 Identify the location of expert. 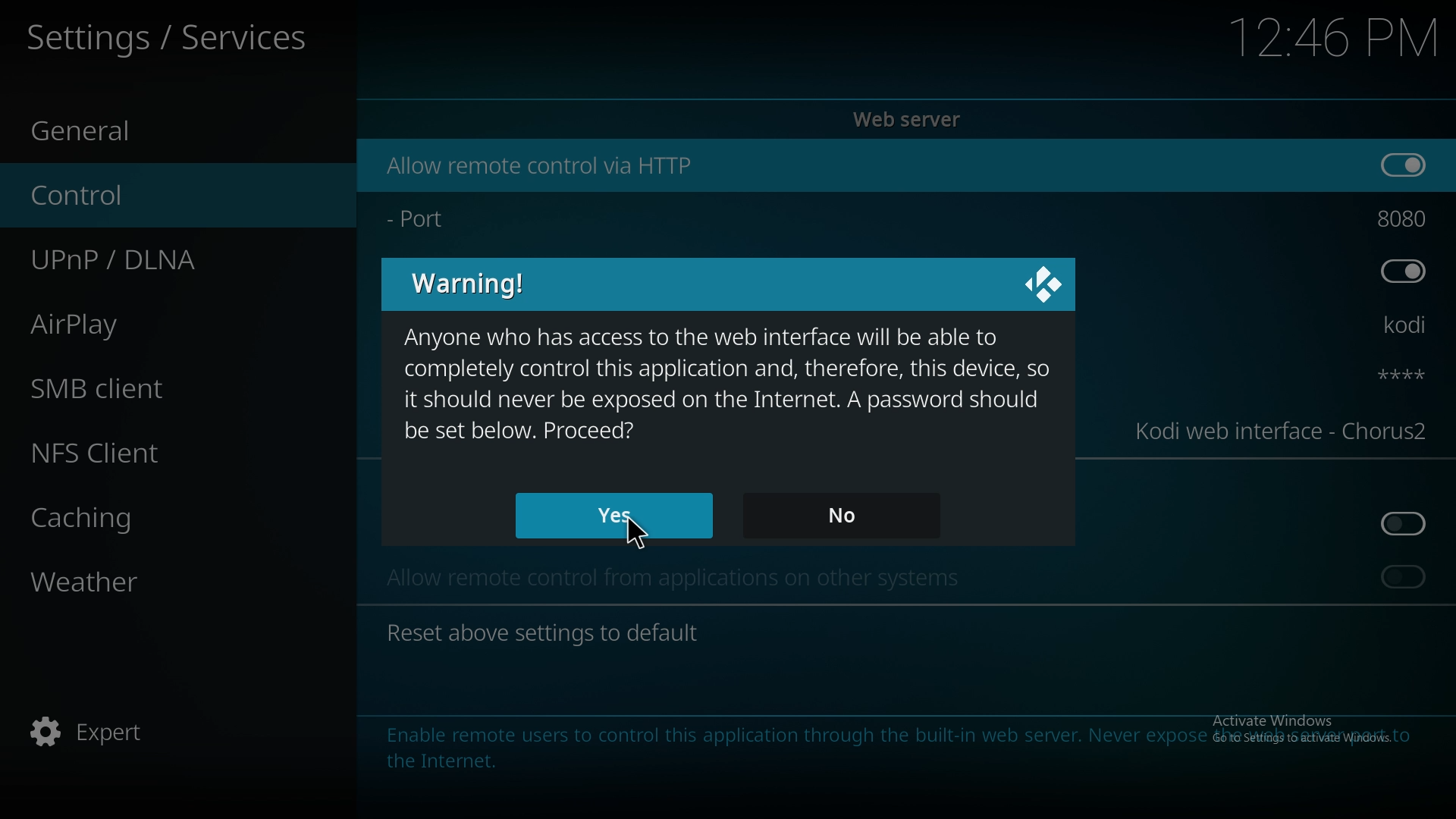
(127, 733).